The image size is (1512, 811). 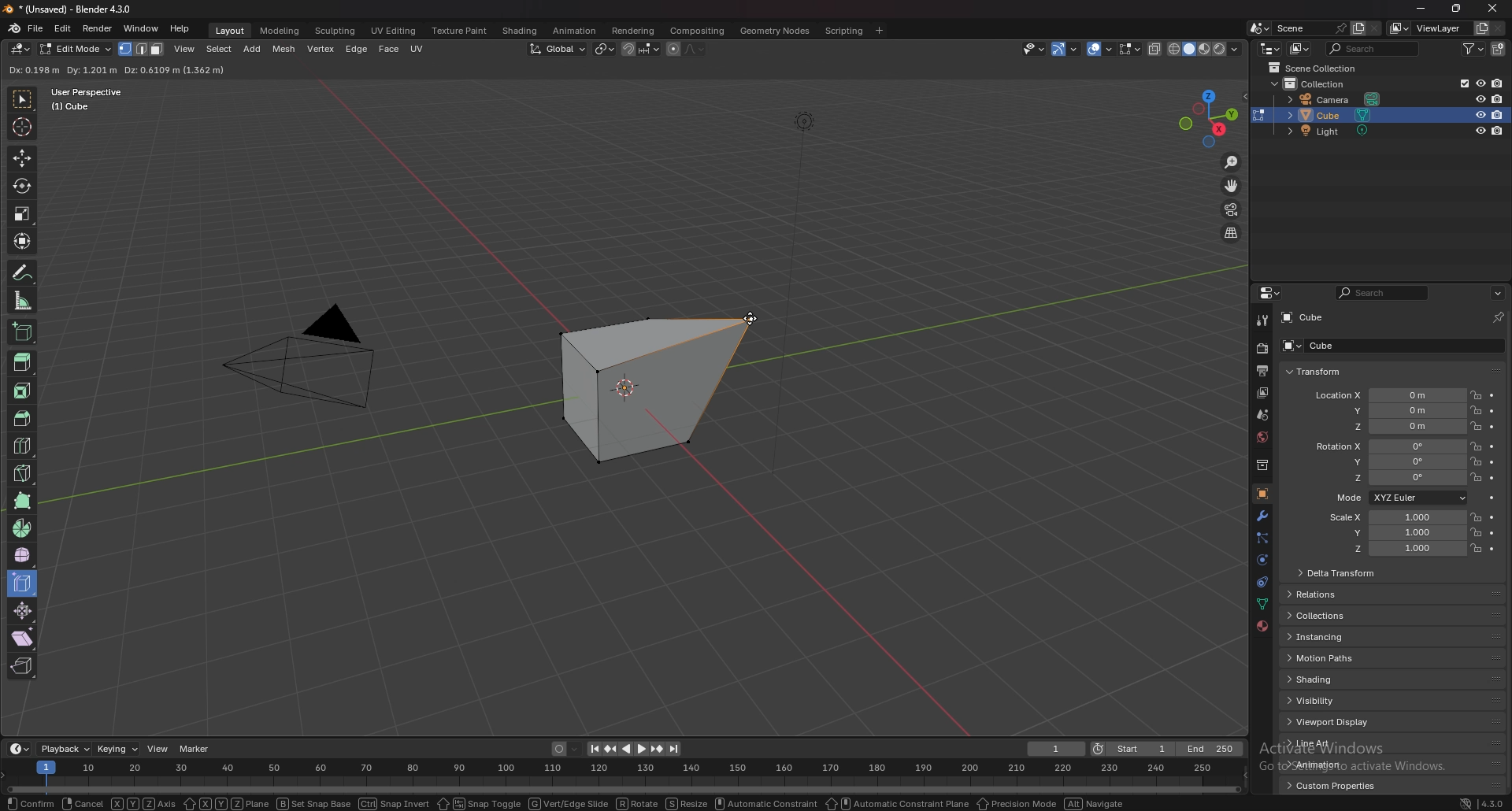 What do you see at coordinates (842, 31) in the screenshot?
I see `scripting` at bounding box center [842, 31].